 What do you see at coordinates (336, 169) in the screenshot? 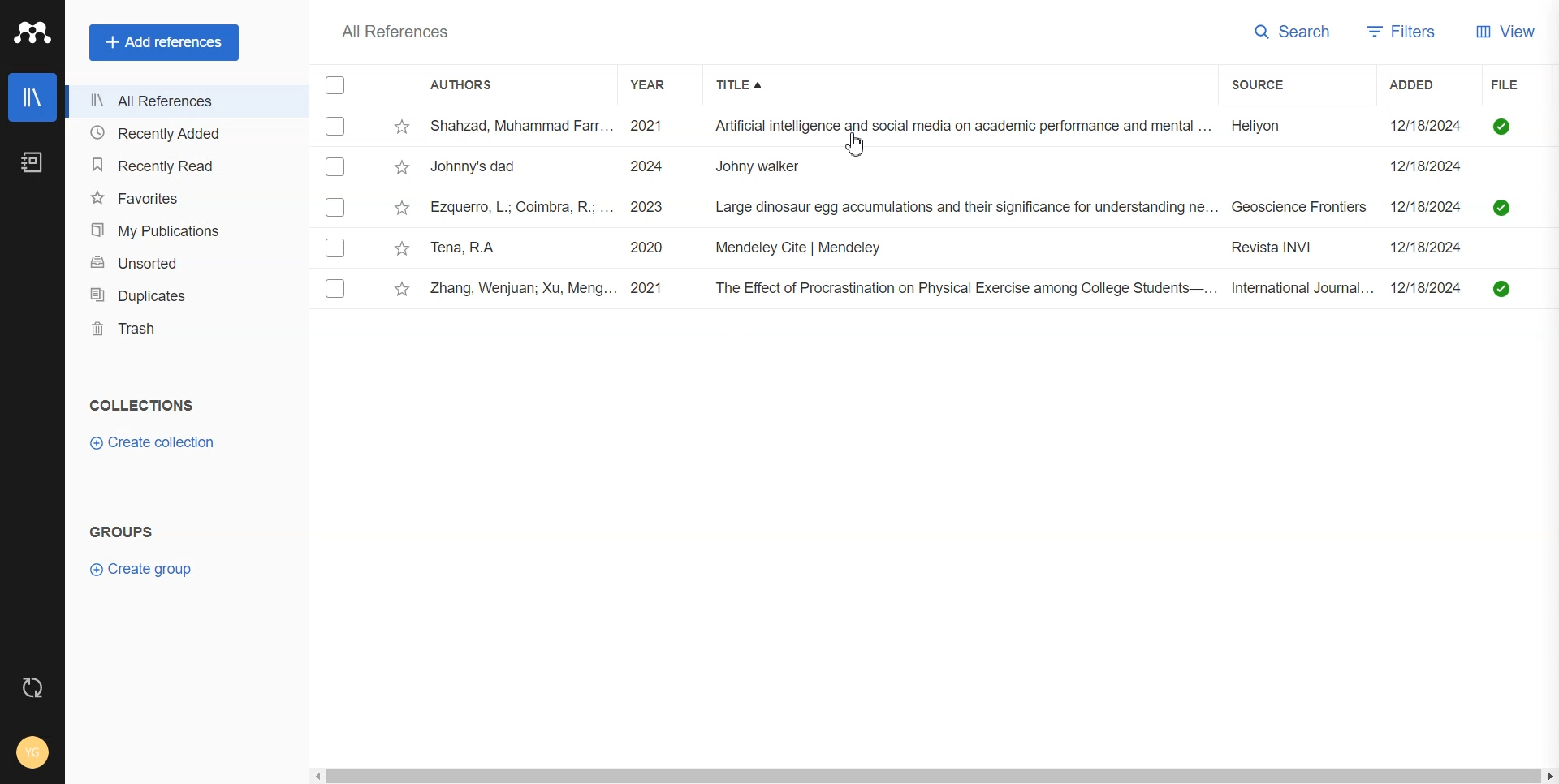
I see `Checkmarks` at bounding box center [336, 169].